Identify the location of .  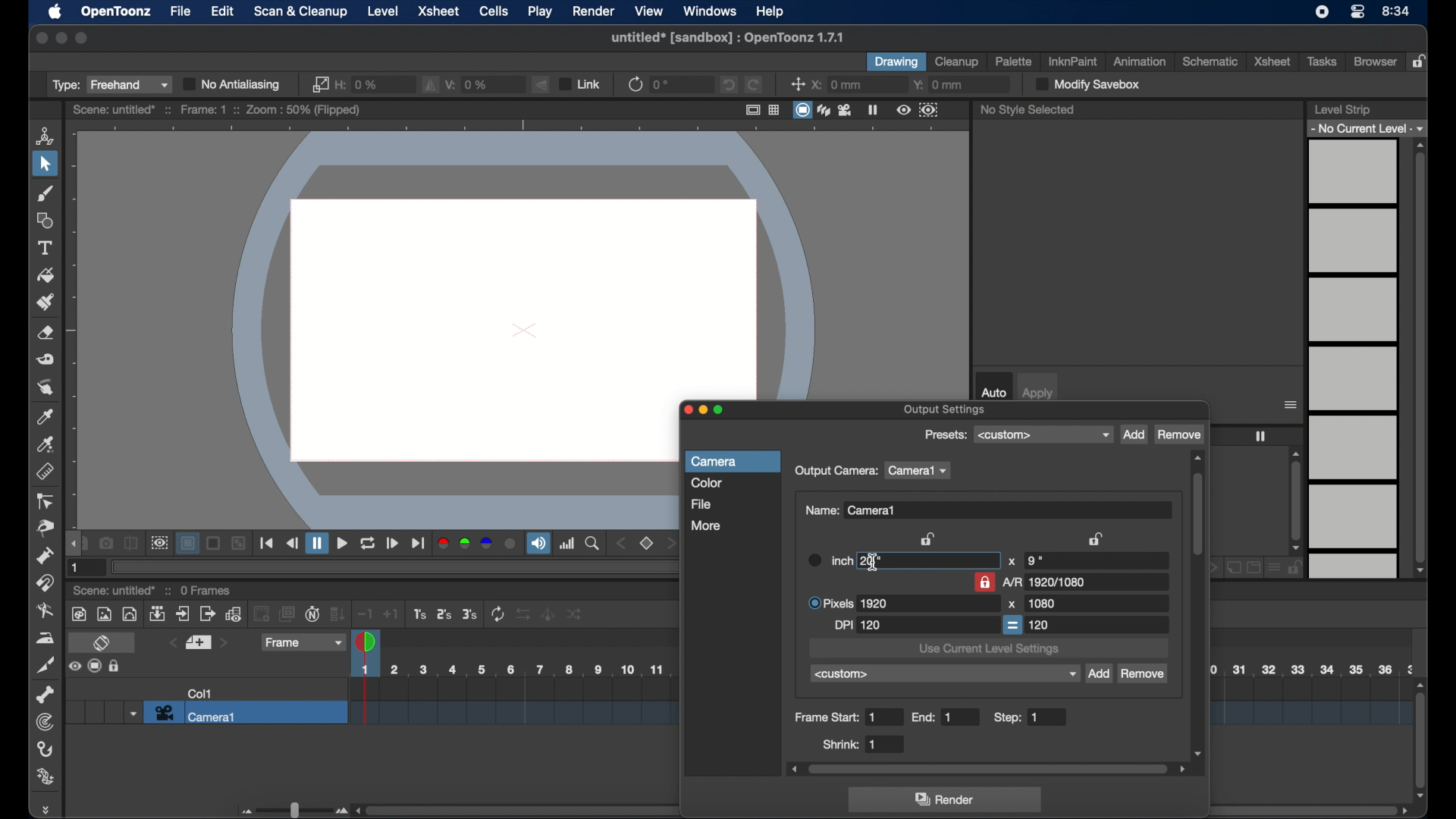
(215, 544).